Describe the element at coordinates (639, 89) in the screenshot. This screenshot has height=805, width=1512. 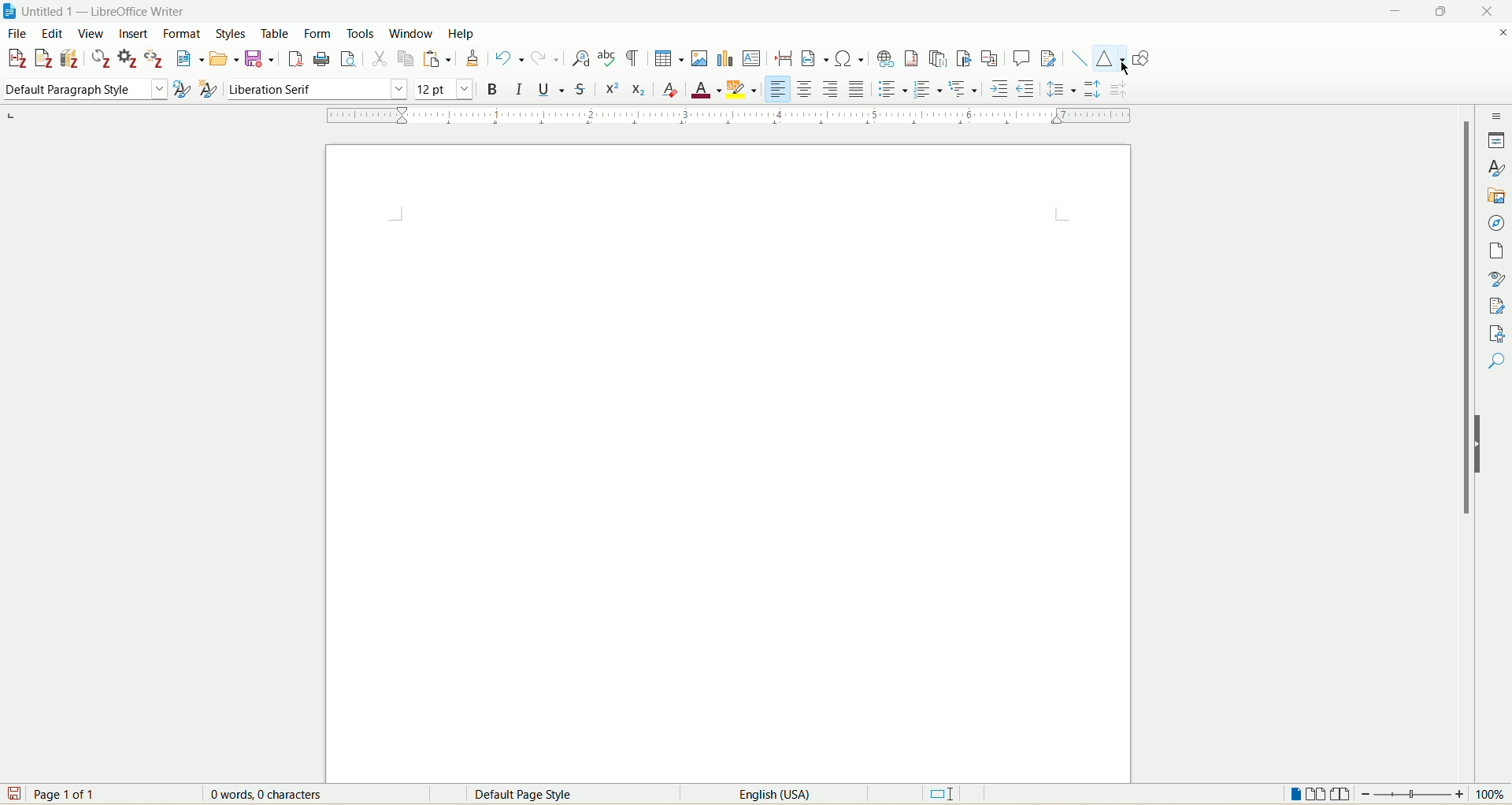
I see `subscript` at that location.